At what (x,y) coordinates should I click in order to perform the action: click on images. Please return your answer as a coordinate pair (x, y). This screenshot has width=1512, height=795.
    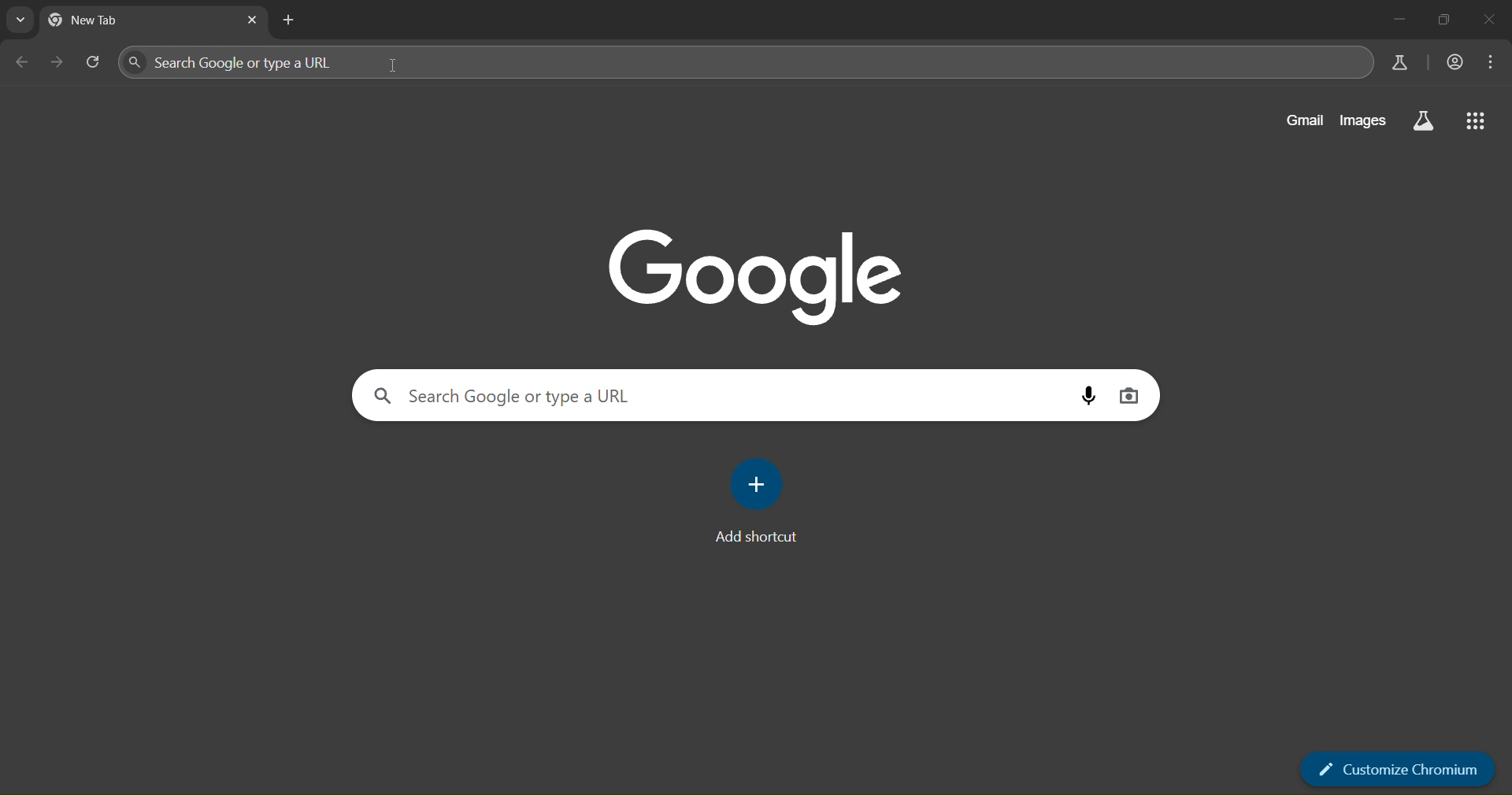
    Looking at the image, I should click on (1367, 120).